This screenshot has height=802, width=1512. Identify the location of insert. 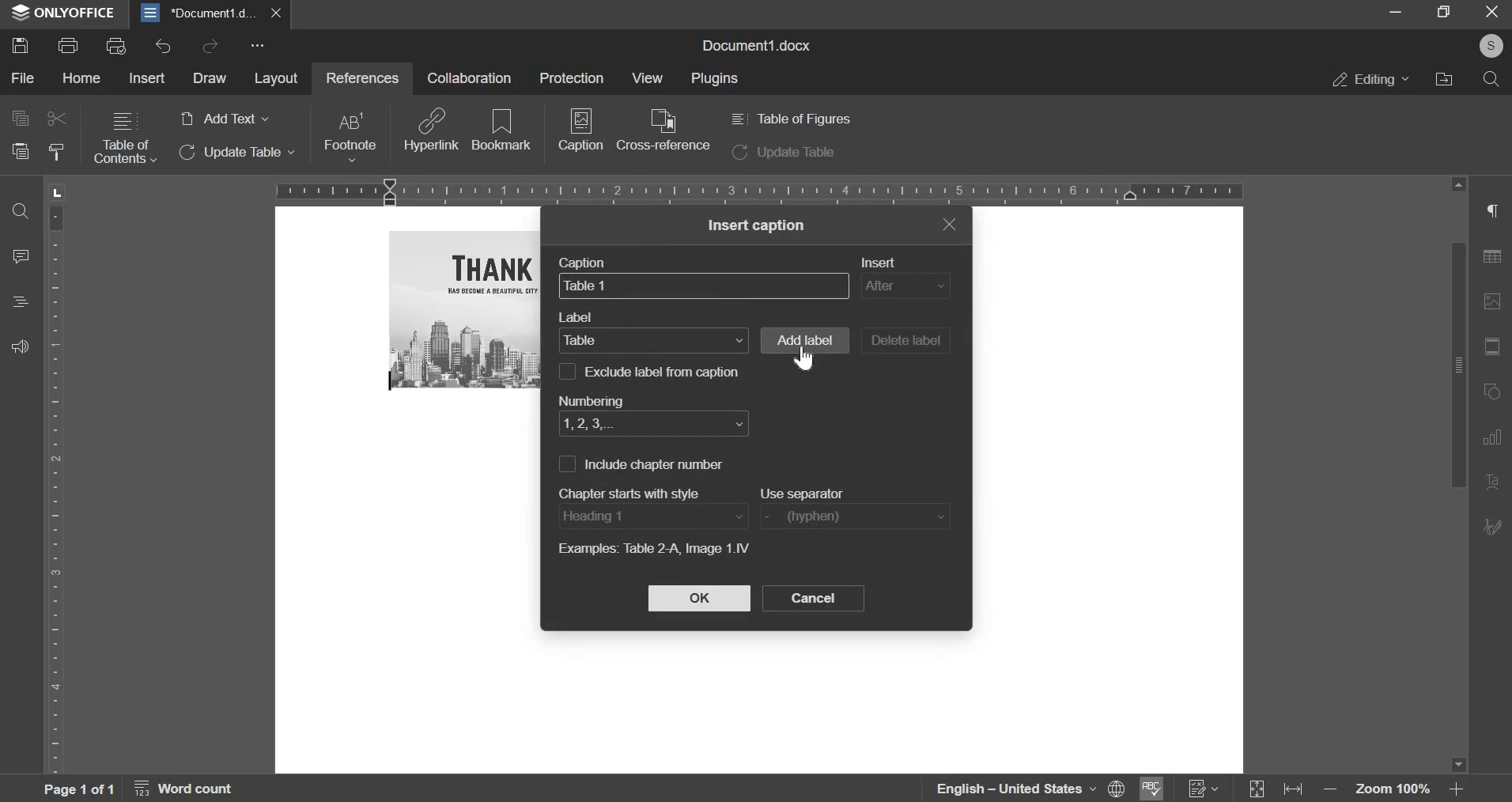
(905, 286).